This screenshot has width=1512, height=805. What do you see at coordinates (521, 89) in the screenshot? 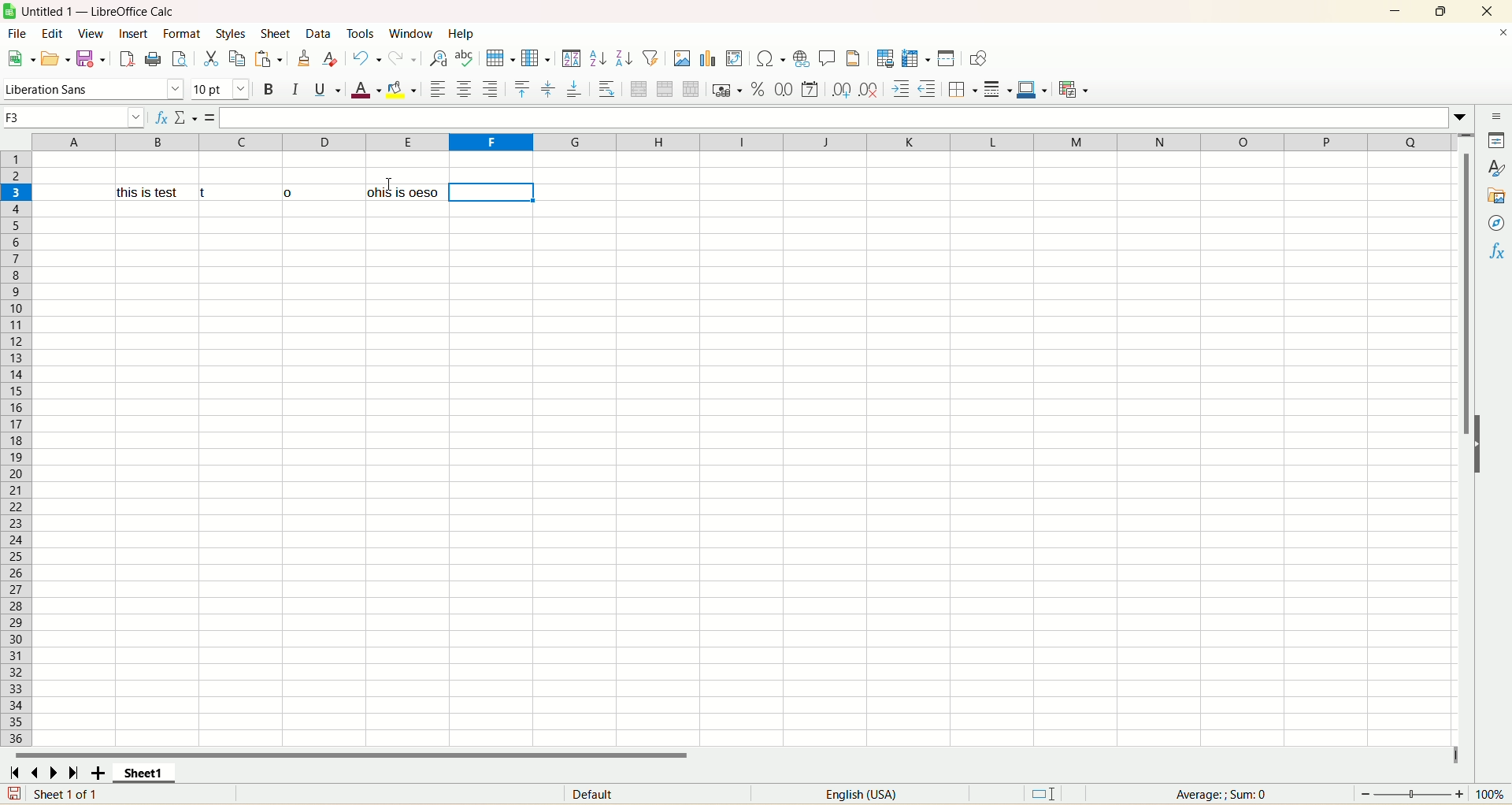
I see `align top` at bounding box center [521, 89].